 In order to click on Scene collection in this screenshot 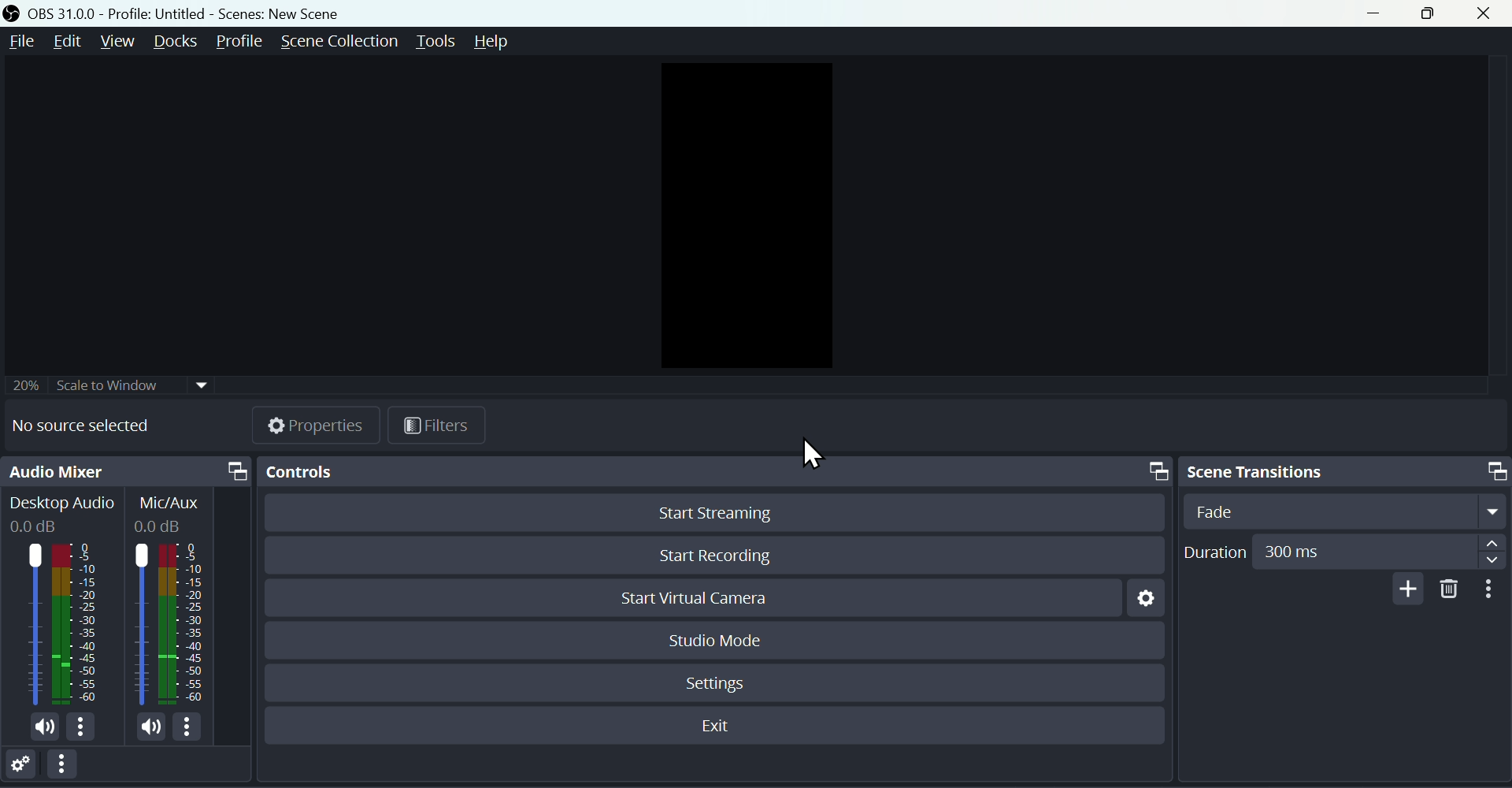, I will do `click(337, 41)`.